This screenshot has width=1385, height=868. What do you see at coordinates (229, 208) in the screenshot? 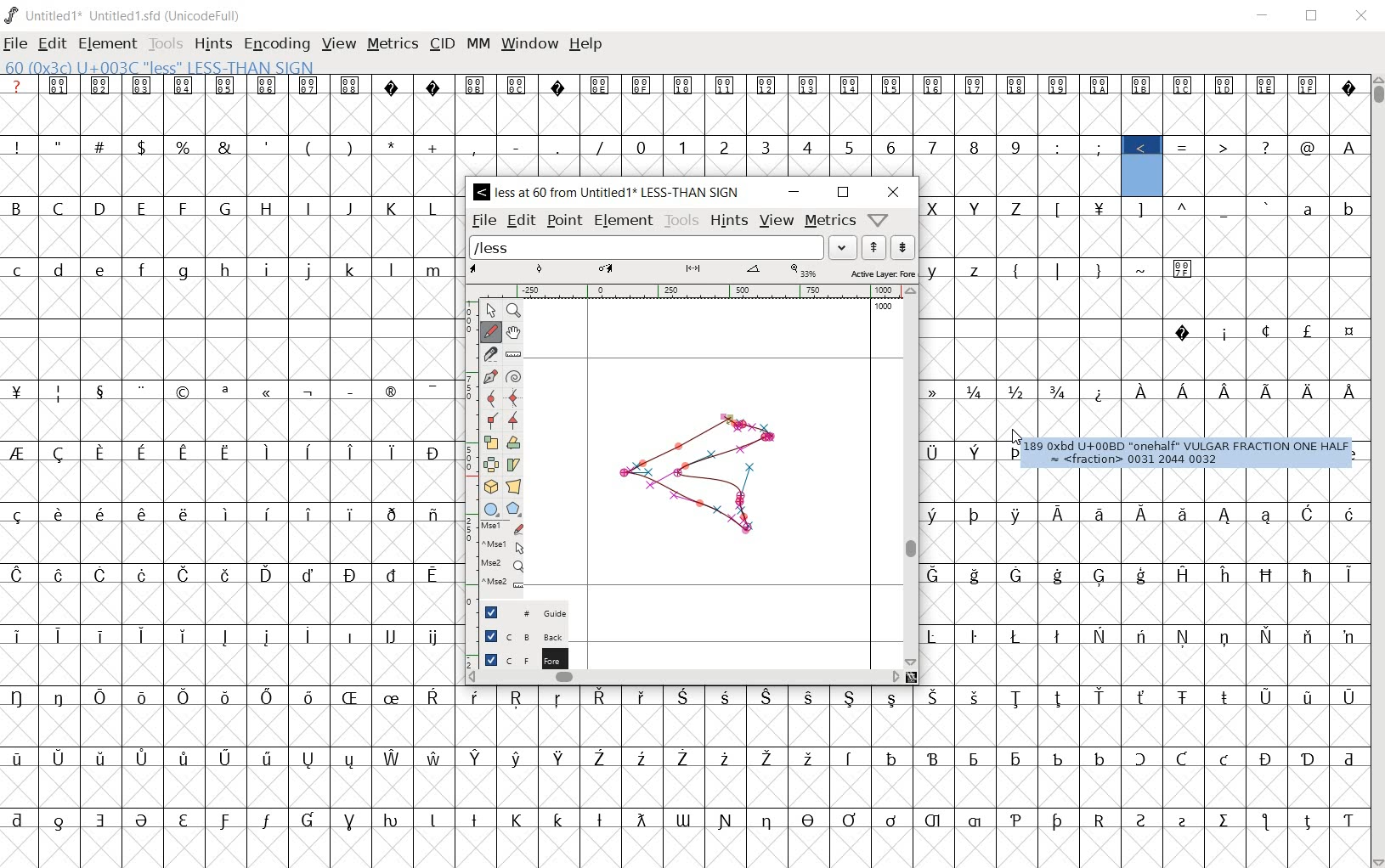
I see `Capilal letters B - Z` at bounding box center [229, 208].